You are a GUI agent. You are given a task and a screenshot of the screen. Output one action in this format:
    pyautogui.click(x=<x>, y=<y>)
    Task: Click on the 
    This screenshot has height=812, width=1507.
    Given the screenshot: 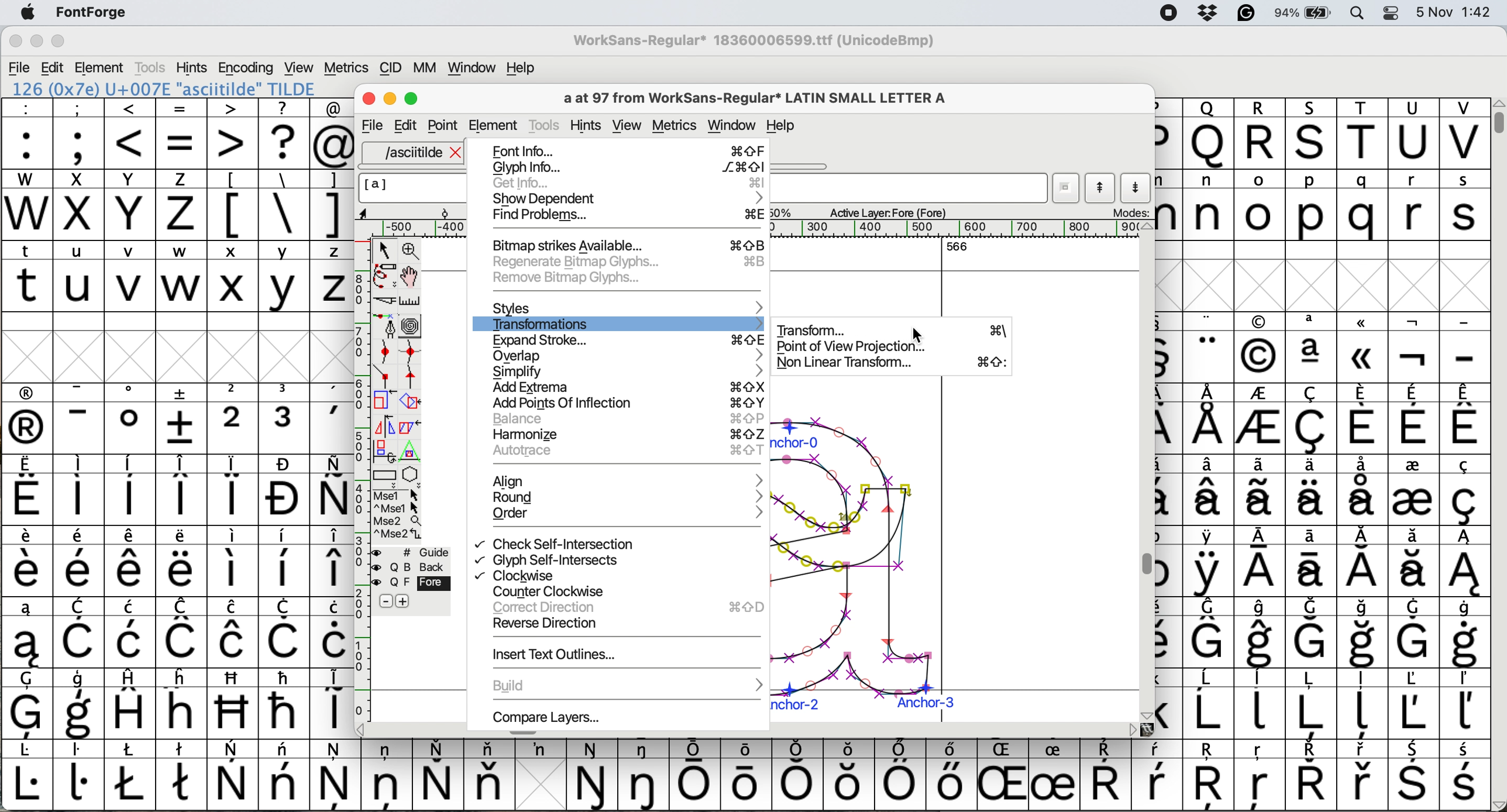 What is the action you would take?
    pyautogui.click(x=1208, y=133)
    